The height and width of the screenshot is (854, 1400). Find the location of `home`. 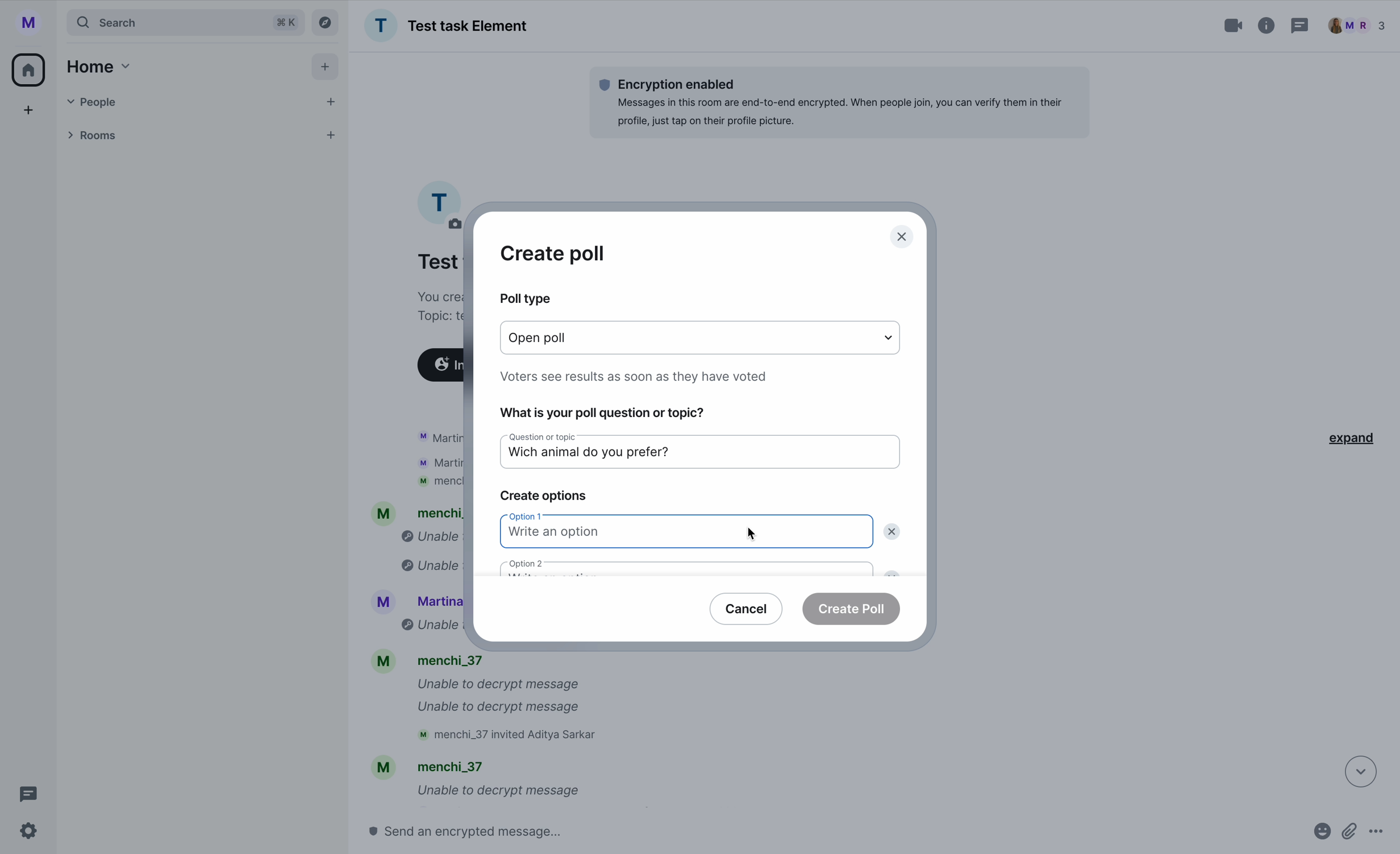

home is located at coordinates (96, 66).